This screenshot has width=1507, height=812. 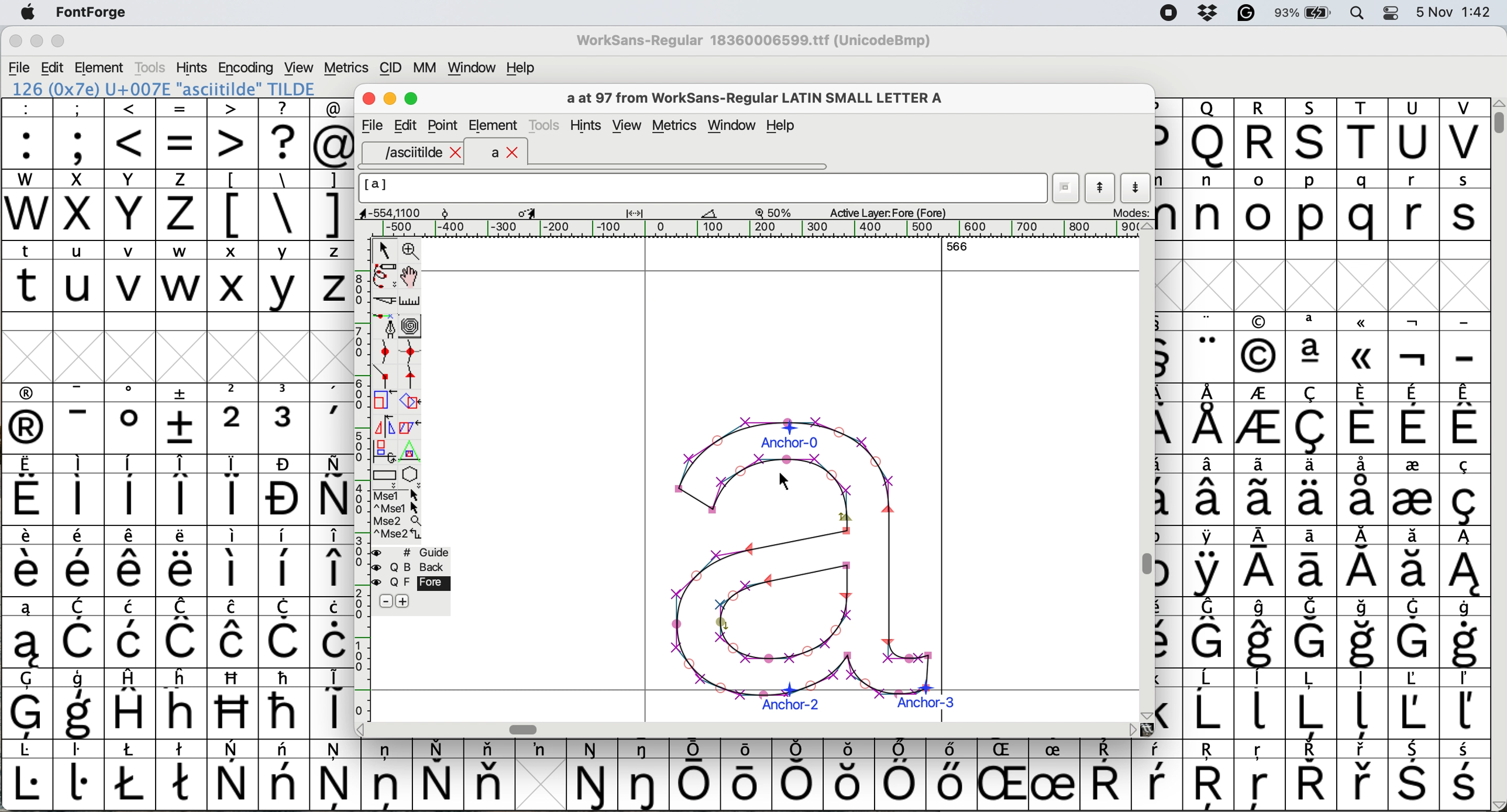 I want to click on symbol, so click(x=284, y=703).